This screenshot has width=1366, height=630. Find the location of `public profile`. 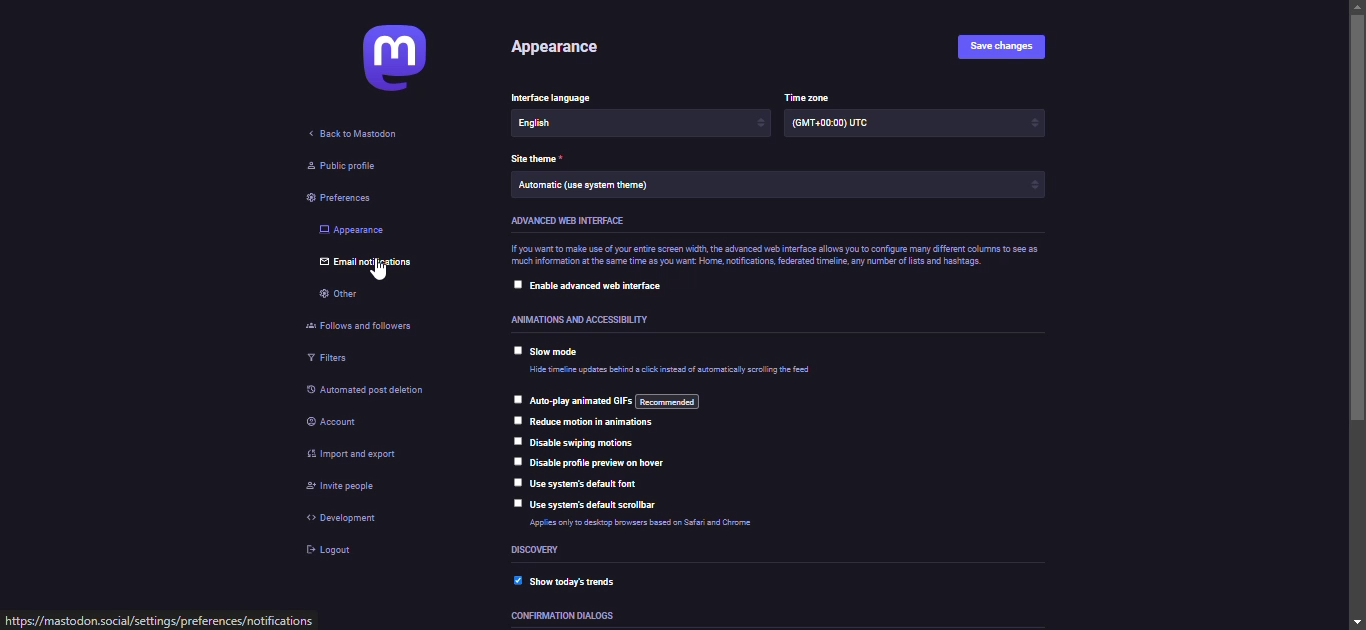

public profile is located at coordinates (338, 166).